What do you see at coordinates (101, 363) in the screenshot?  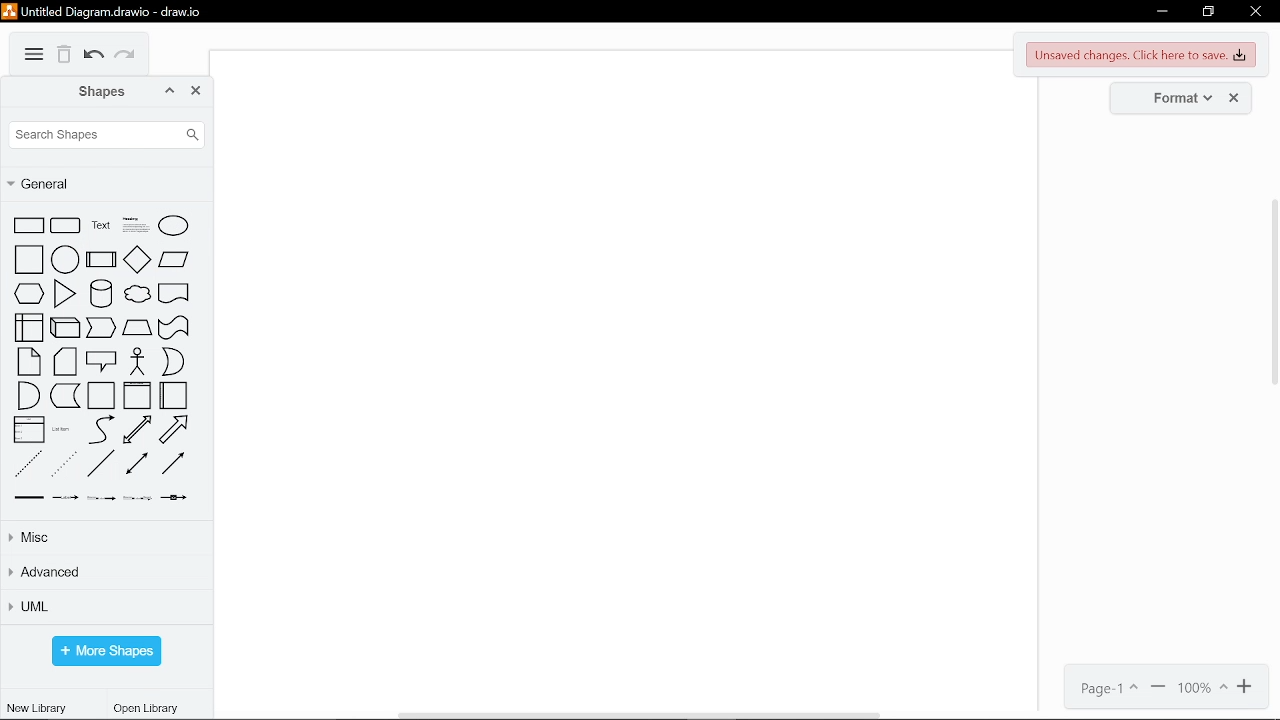 I see `callout` at bounding box center [101, 363].